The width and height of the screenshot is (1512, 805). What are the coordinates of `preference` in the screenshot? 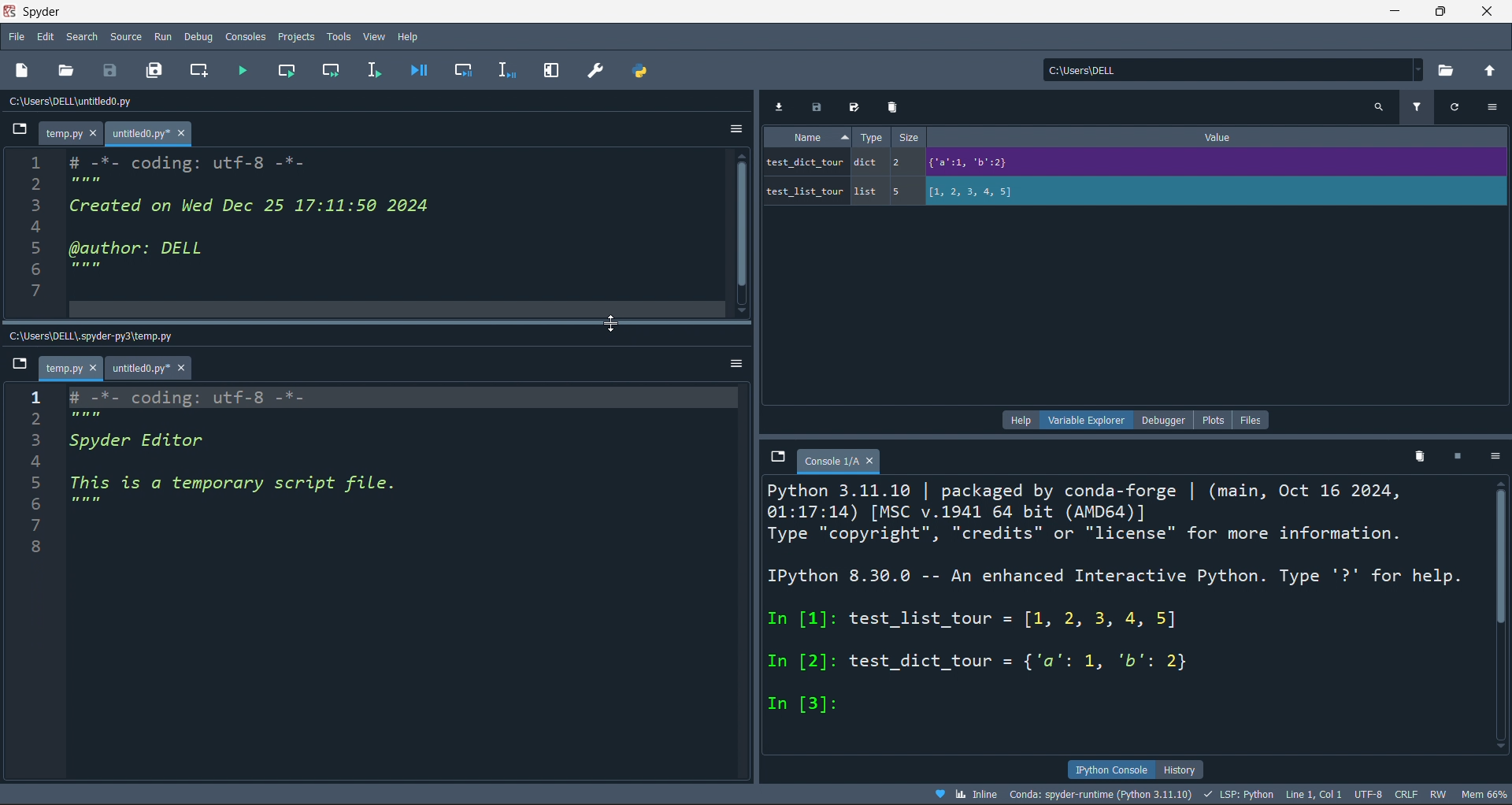 It's located at (592, 70).